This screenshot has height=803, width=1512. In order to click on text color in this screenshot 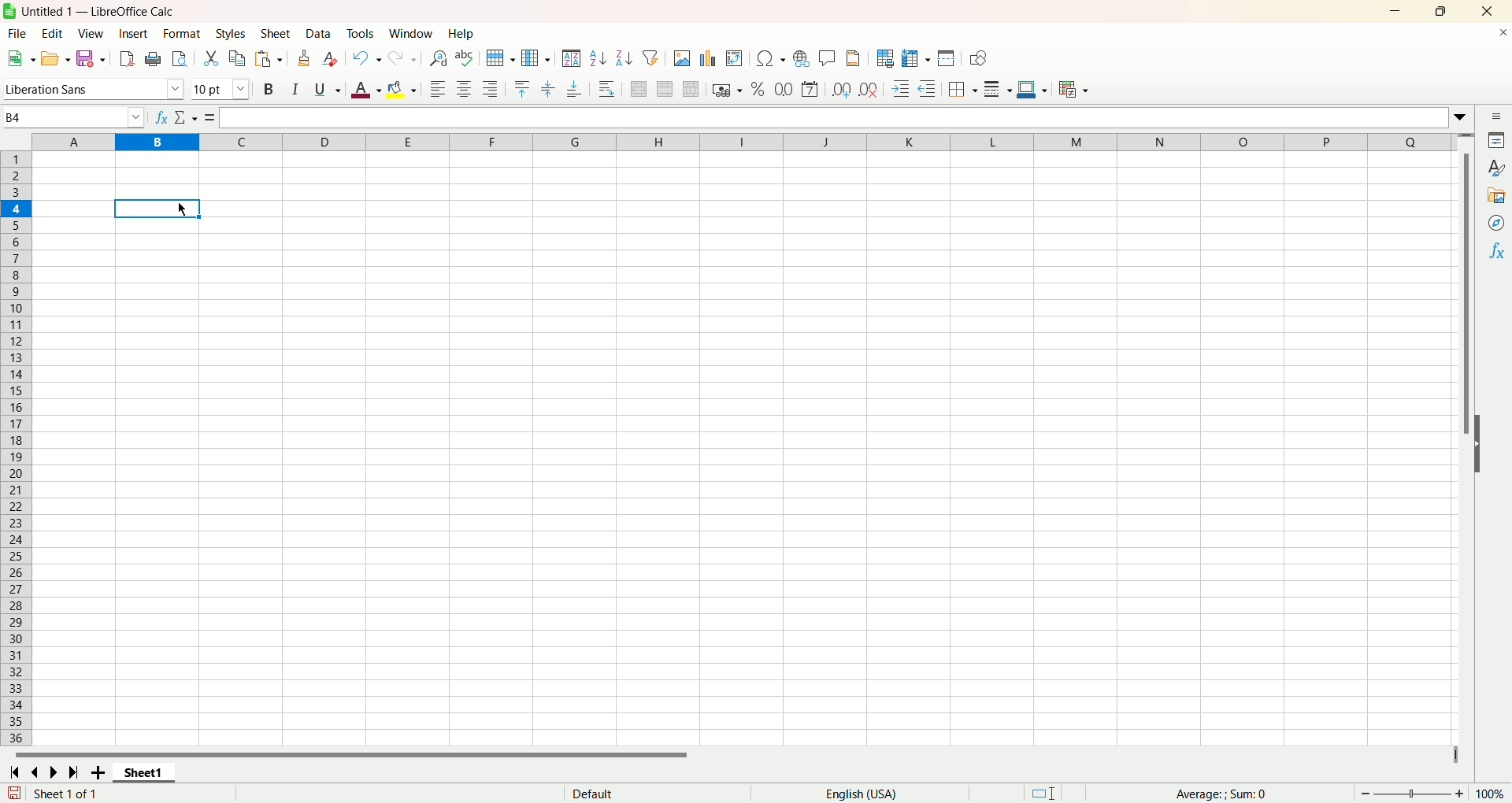, I will do `click(362, 92)`.